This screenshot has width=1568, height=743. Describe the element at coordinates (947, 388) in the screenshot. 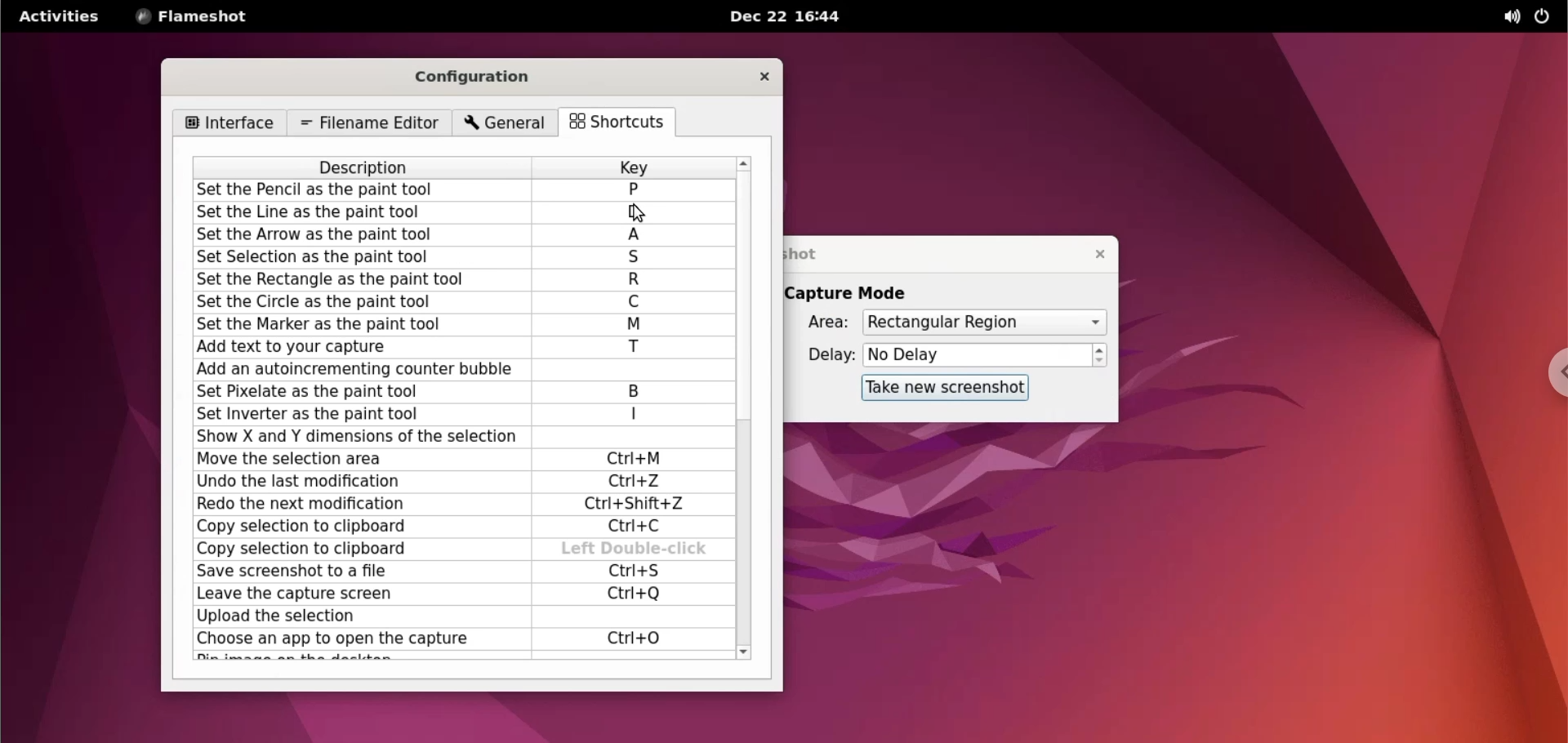

I see `take new screenshot` at that location.